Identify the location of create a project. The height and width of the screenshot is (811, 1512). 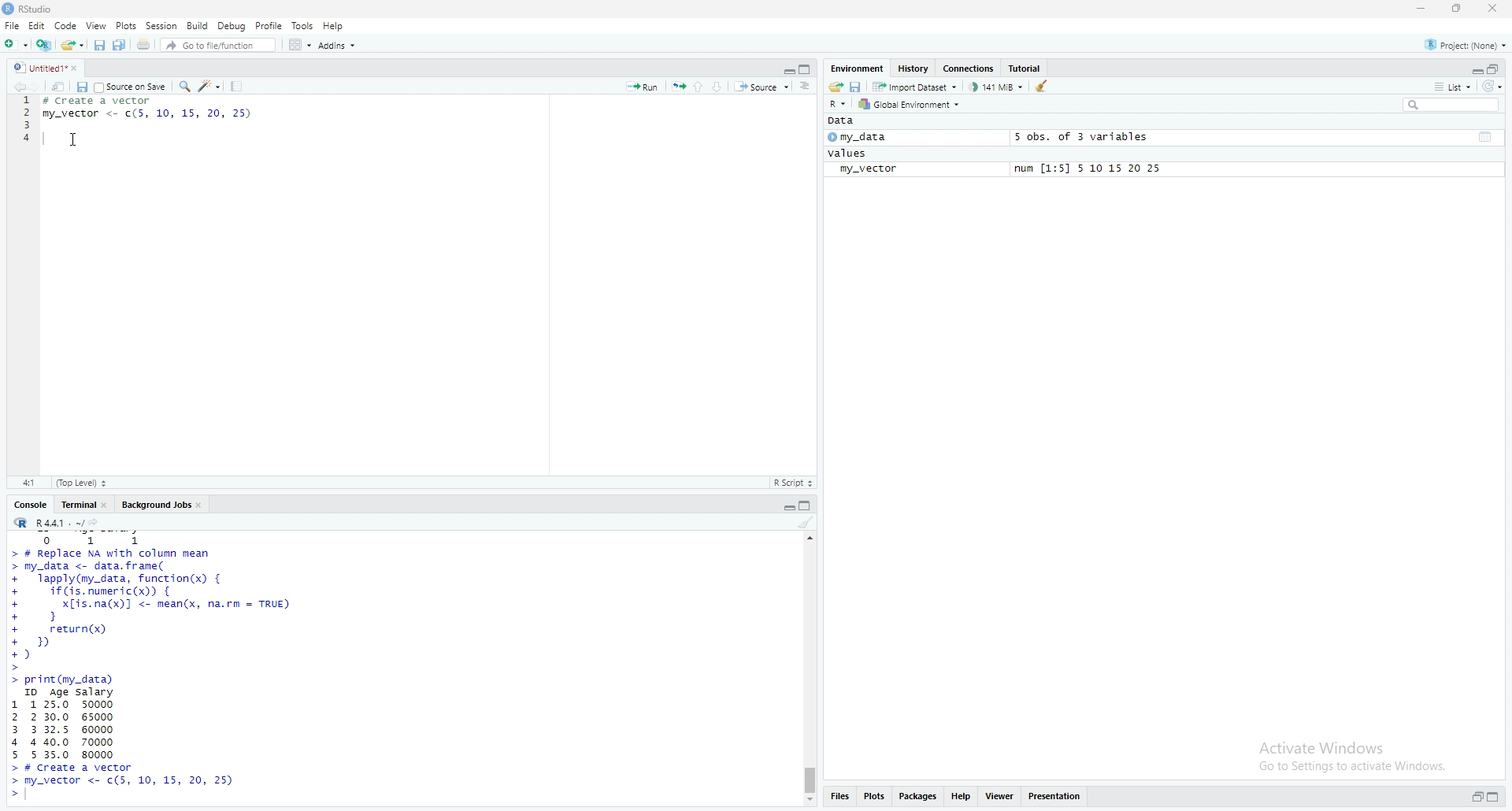
(45, 45).